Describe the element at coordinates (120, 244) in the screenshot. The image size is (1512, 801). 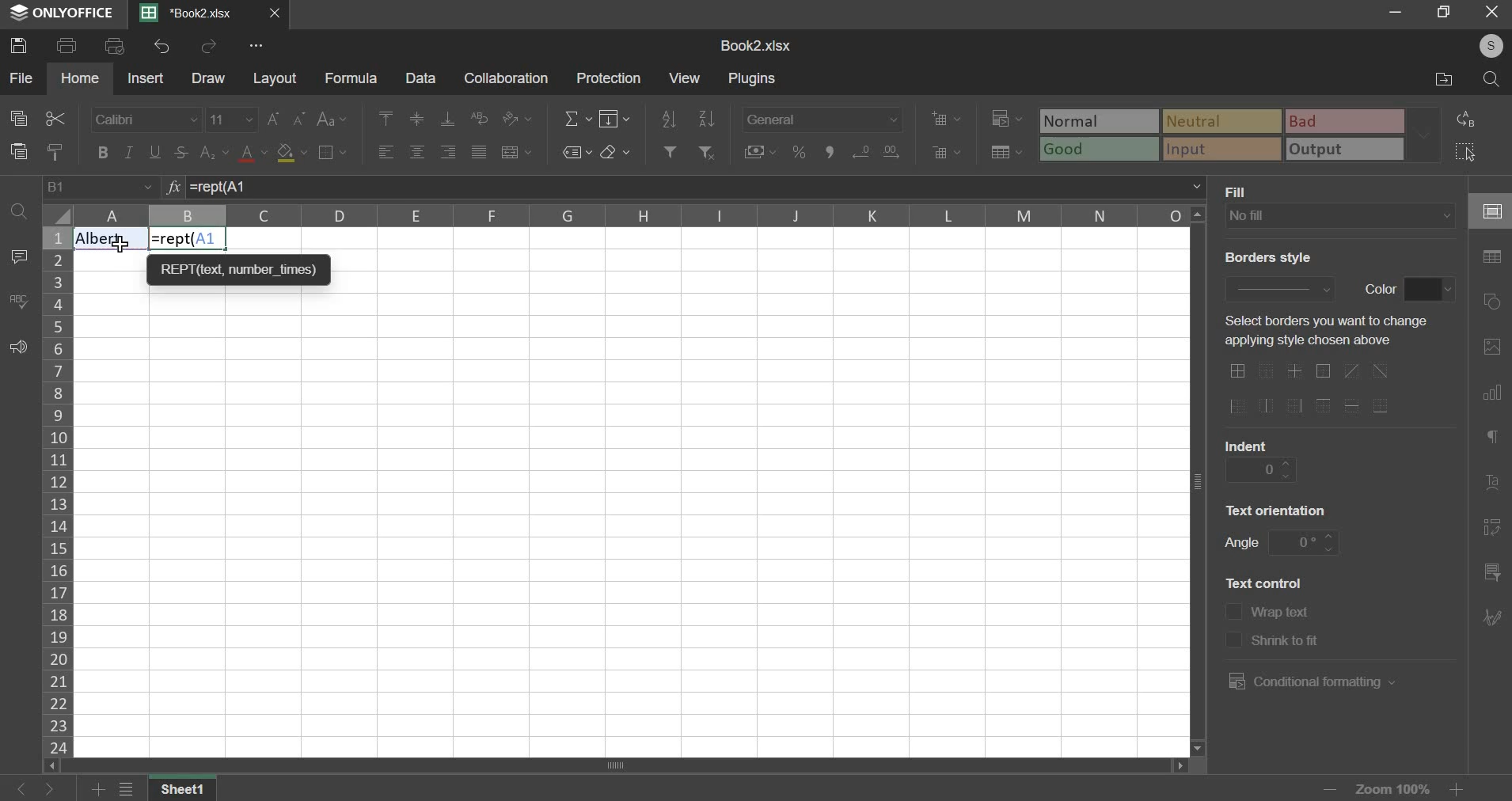
I see `cursor` at that location.